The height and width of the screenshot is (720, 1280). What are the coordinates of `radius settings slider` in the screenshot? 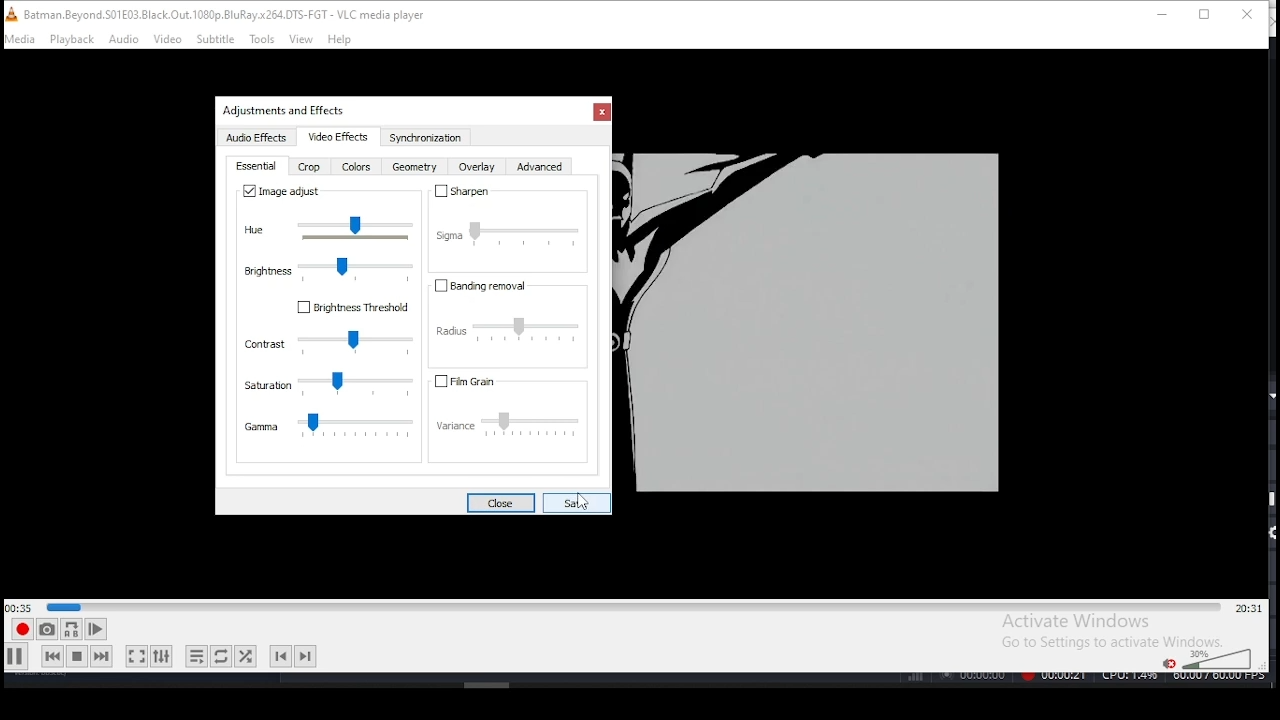 It's located at (513, 329).